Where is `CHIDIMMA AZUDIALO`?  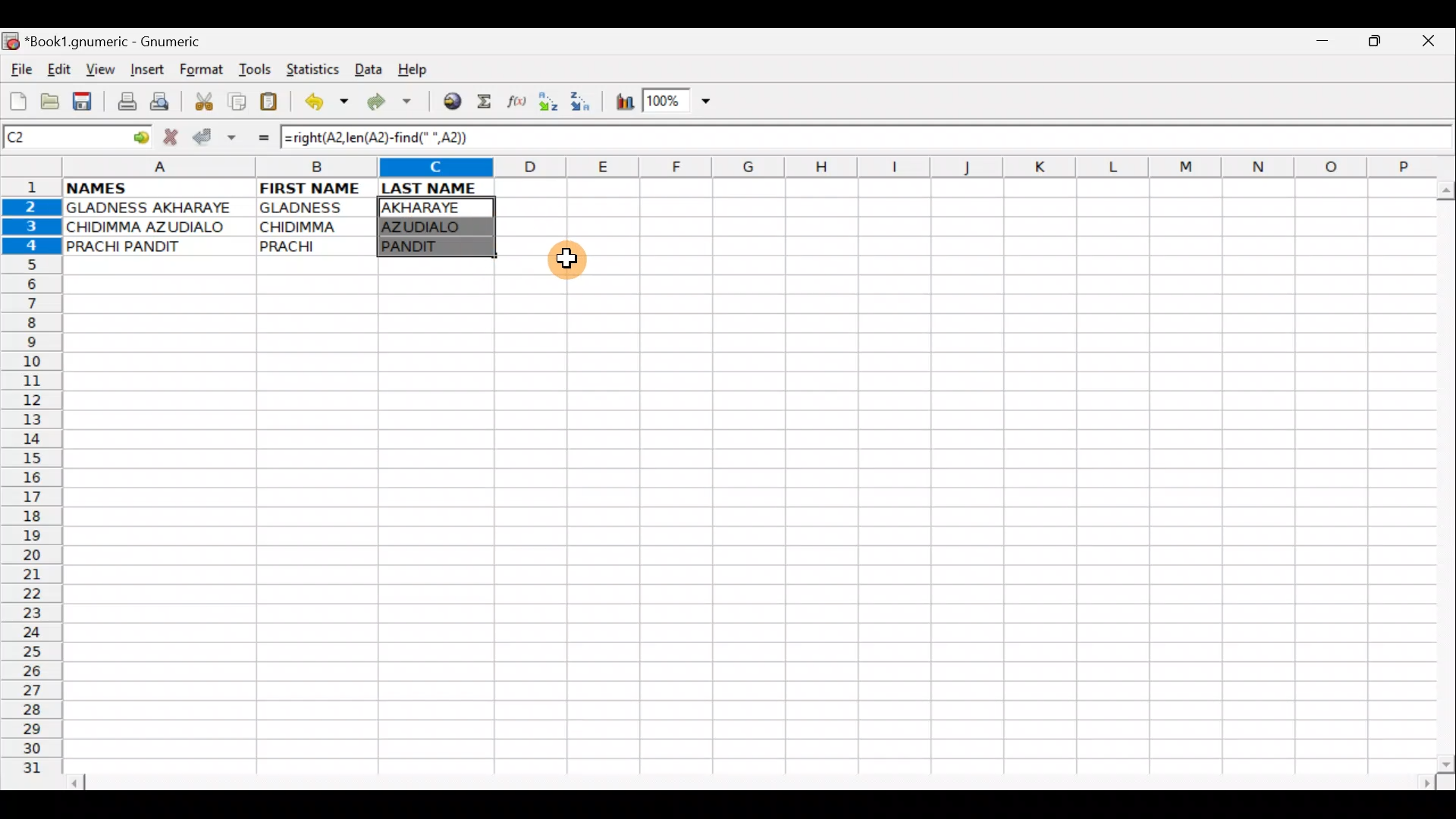 CHIDIMMA AZUDIALO is located at coordinates (152, 227).